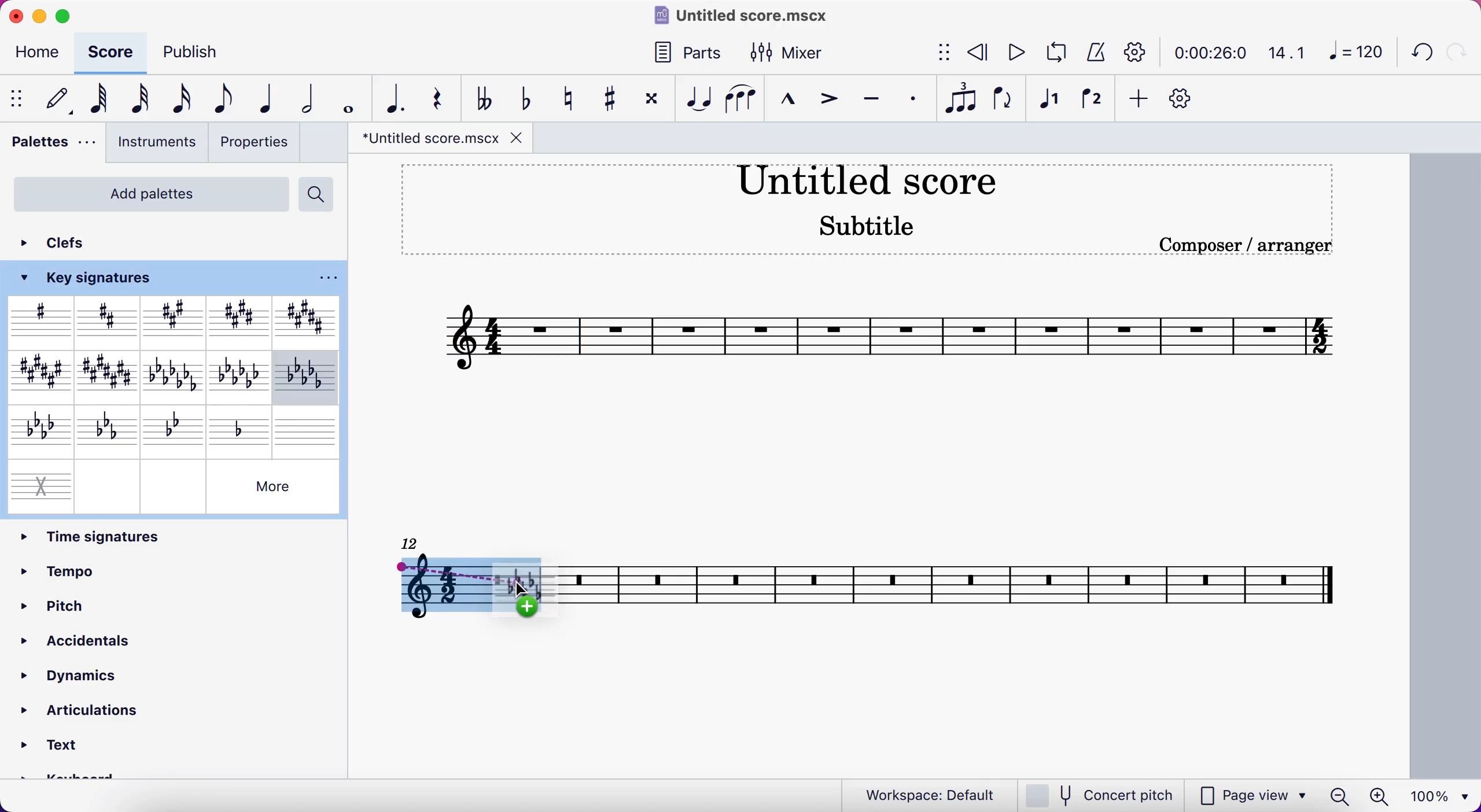 The width and height of the screenshot is (1481, 812). What do you see at coordinates (488, 97) in the screenshot?
I see `toggle double flat` at bounding box center [488, 97].